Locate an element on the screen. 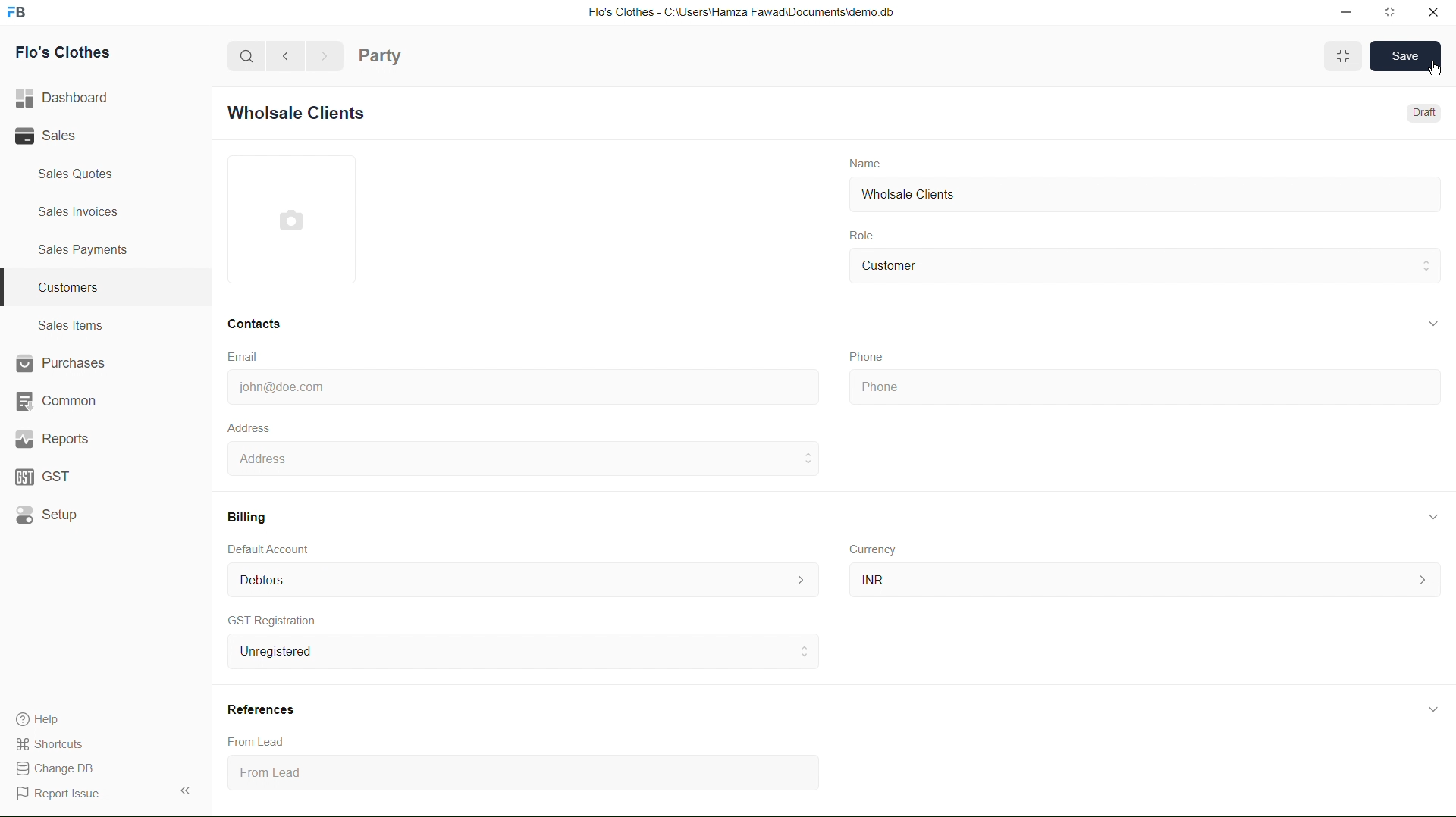 Image resolution: width=1456 pixels, height=817 pixels. Sales Quotes is located at coordinates (73, 175).